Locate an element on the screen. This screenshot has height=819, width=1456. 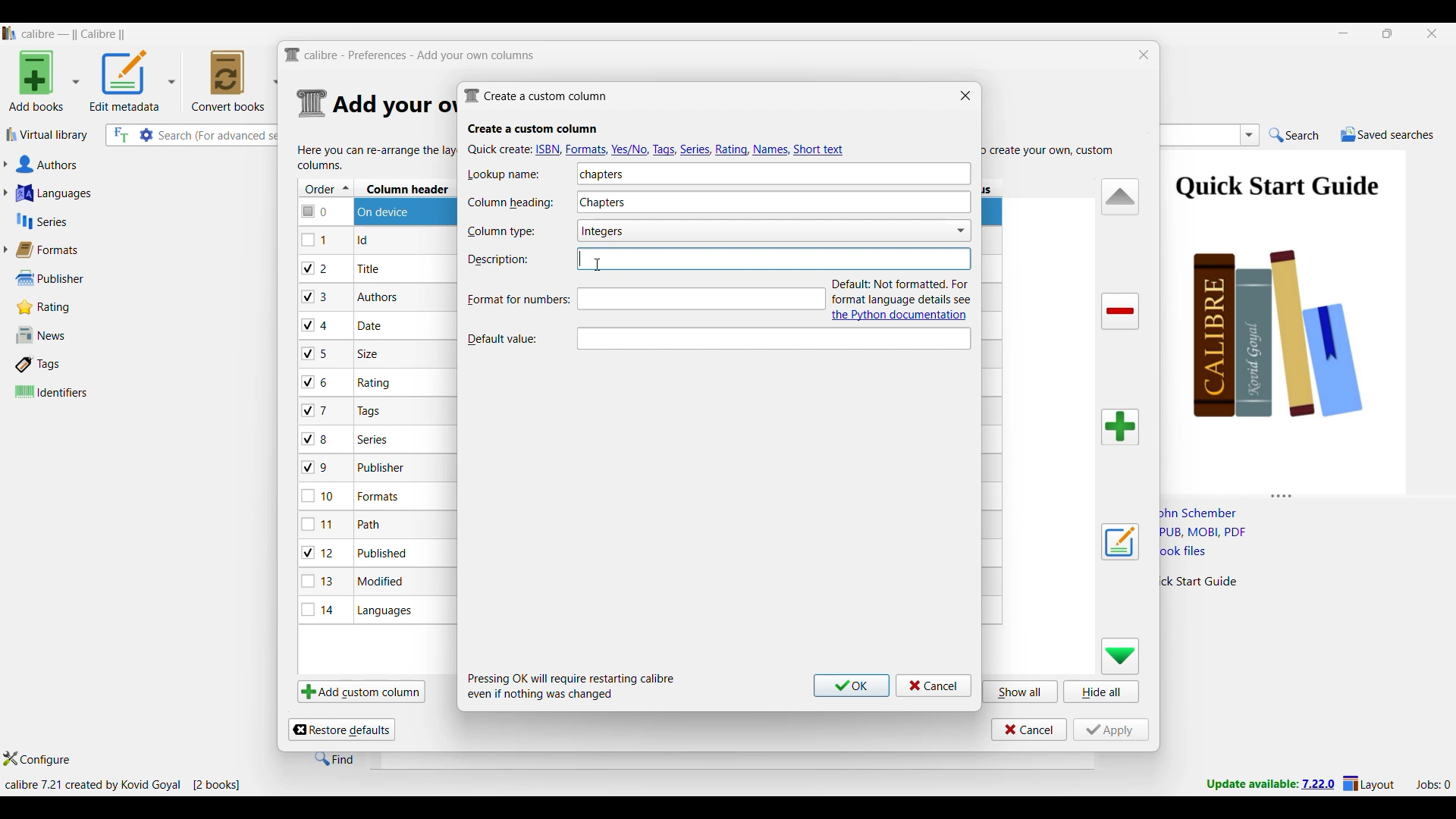
checkbox - 11 is located at coordinates (320, 524).